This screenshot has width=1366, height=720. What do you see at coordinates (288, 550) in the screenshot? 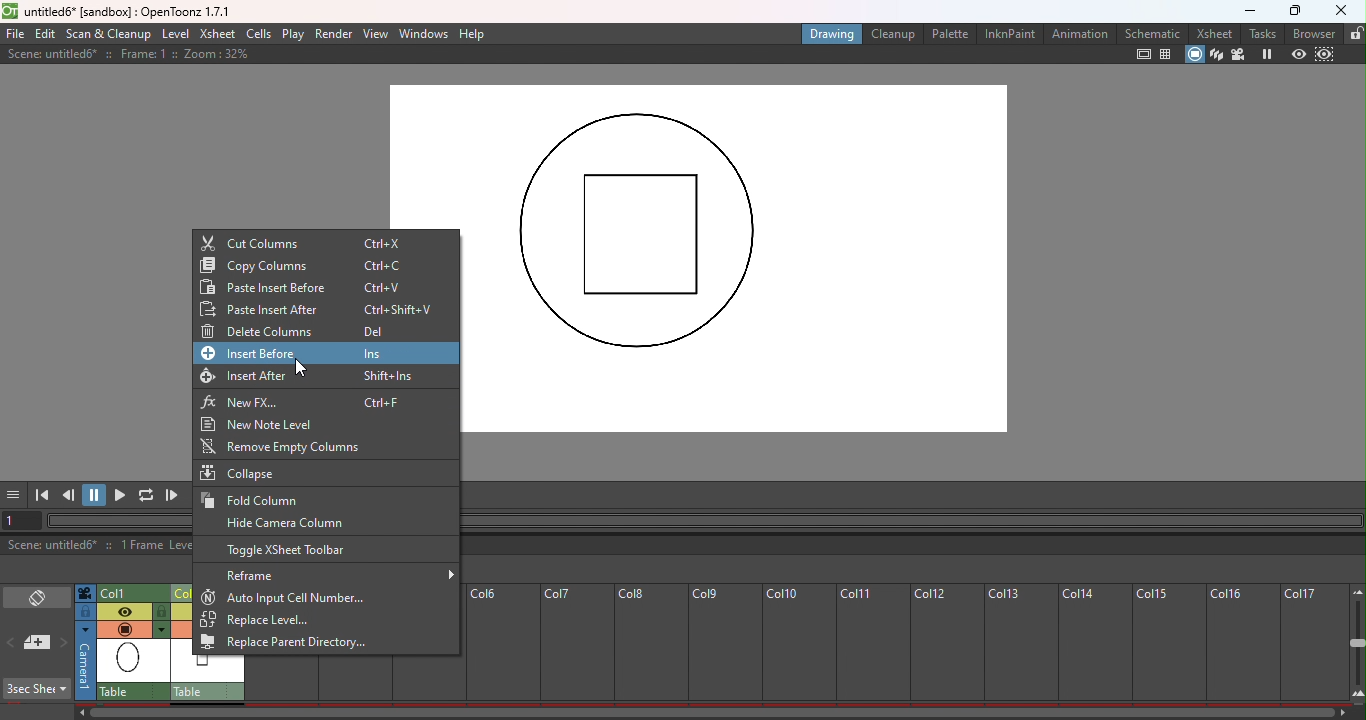
I see `Toggle Xsheet toolbar` at bounding box center [288, 550].